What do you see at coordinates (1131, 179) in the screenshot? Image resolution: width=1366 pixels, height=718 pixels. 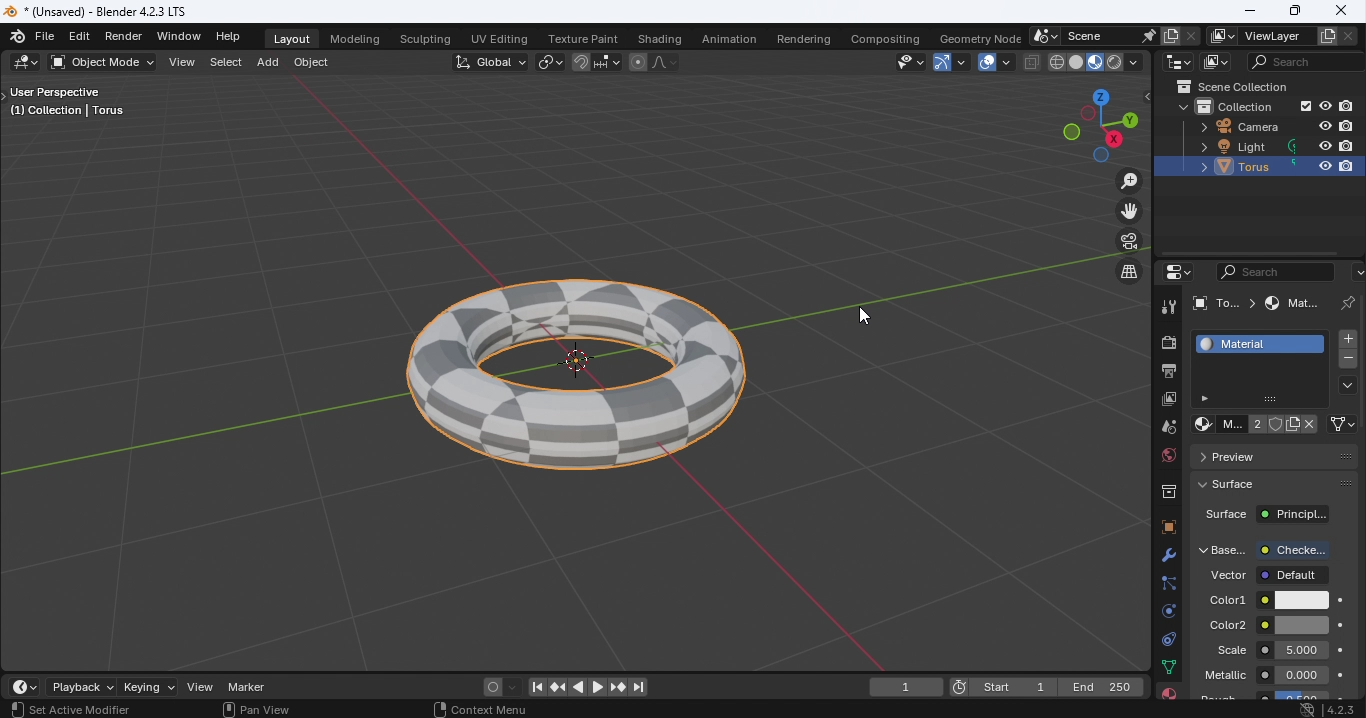 I see `Zoom in/out the view` at bounding box center [1131, 179].